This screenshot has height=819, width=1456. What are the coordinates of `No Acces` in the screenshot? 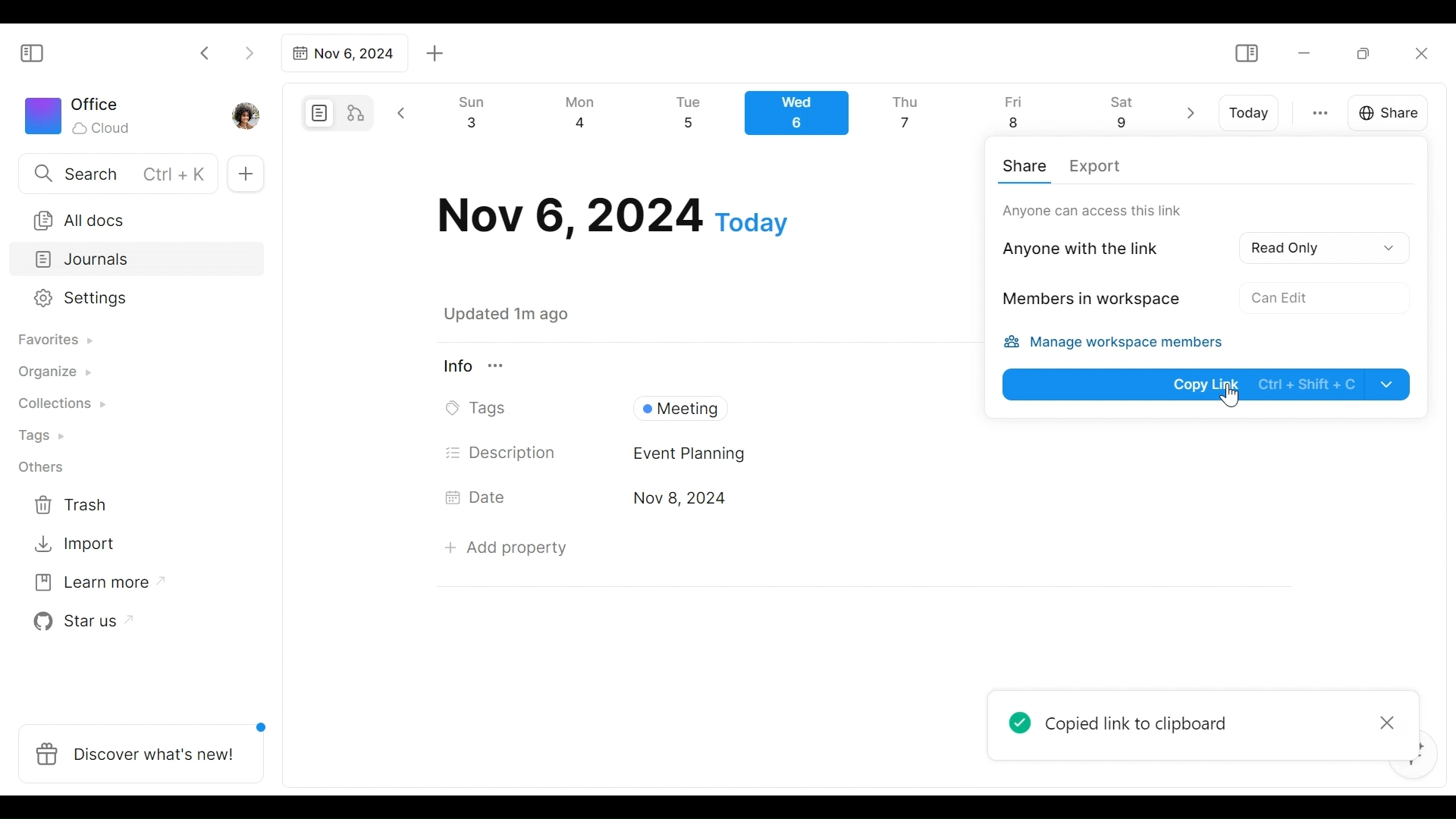 It's located at (1304, 295).